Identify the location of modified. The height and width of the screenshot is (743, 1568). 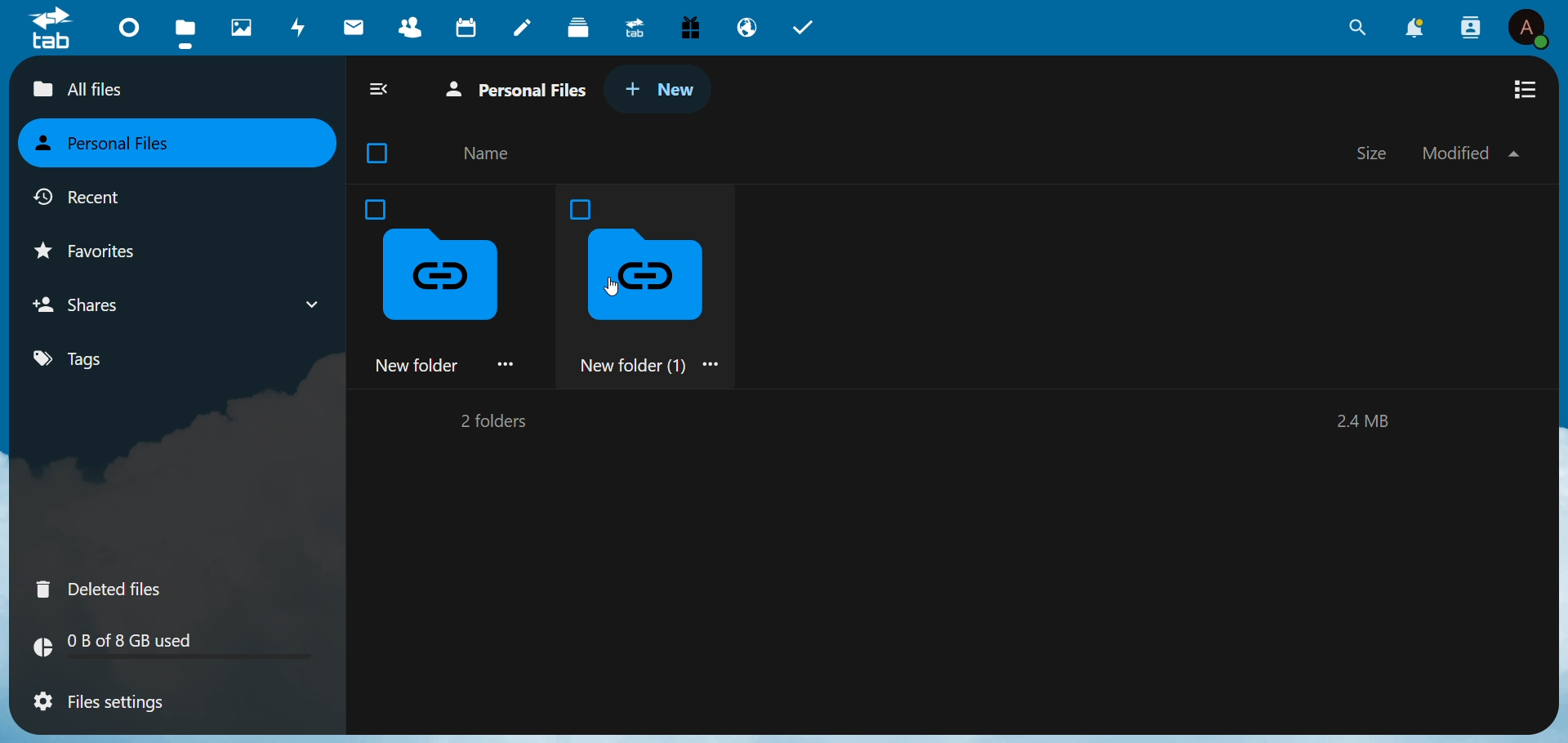
(1469, 153).